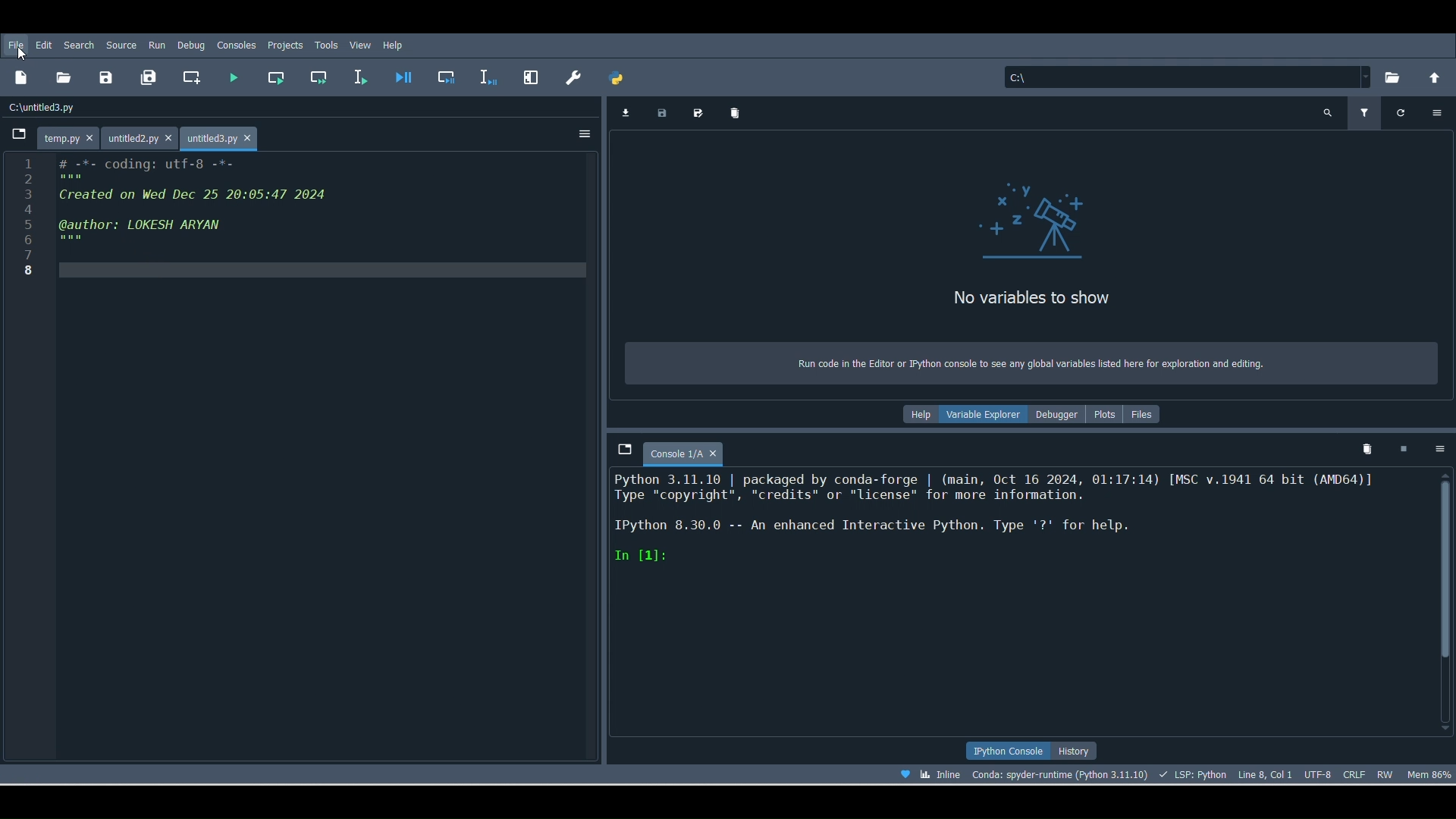 The height and width of the screenshot is (819, 1456). What do you see at coordinates (406, 76) in the screenshot?
I see `Debug file (Ctrl + F5)` at bounding box center [406, 76].